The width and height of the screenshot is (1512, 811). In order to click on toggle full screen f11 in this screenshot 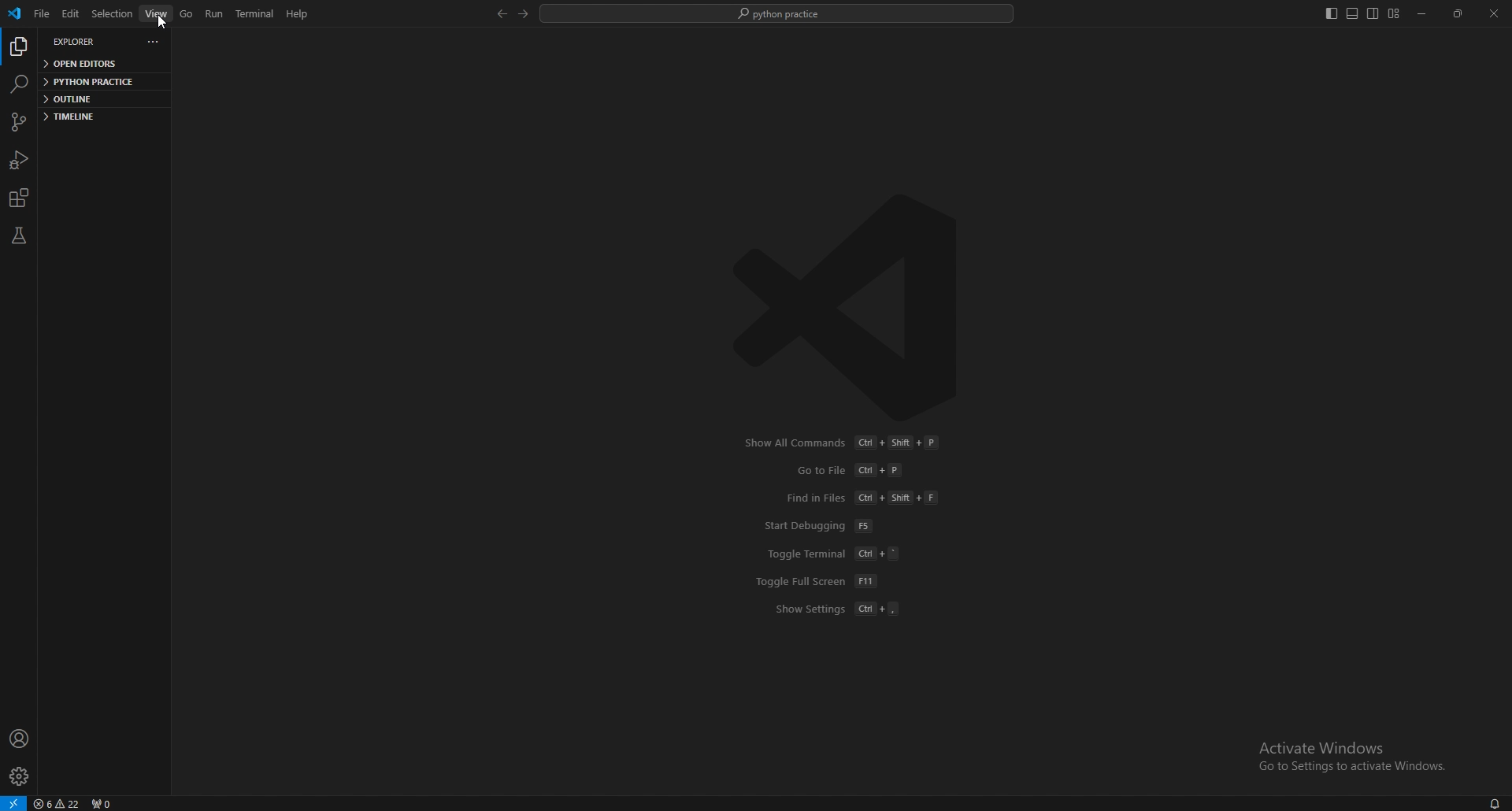, I will do `click(817, 581)`.